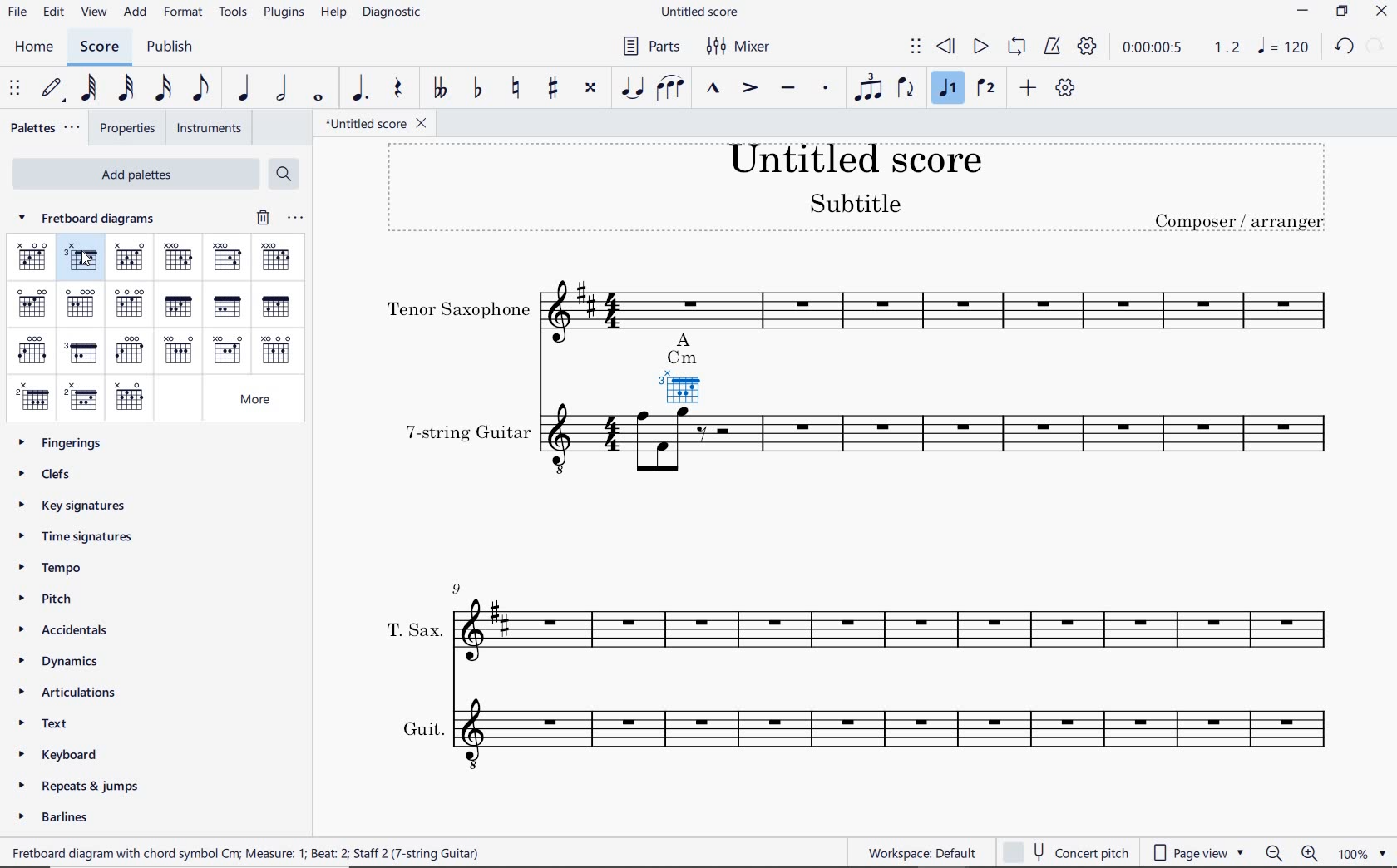  What do you see at coordinates (1287, 48) in the screenshot?
I see `NOTE` at bounding box center [1287, 48].